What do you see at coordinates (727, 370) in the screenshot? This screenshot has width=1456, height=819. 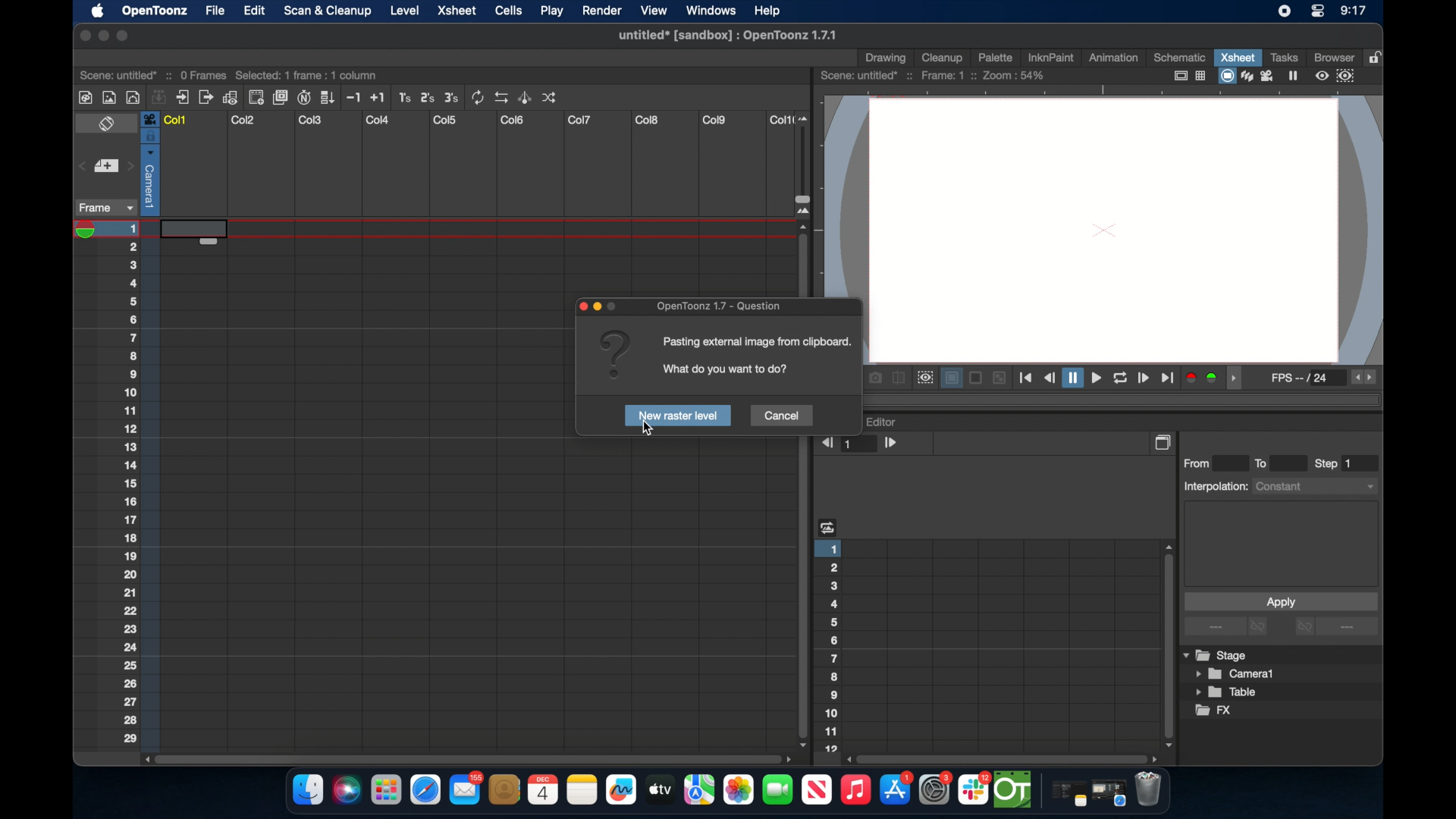 I see `info` at bounding box center [727, 370].